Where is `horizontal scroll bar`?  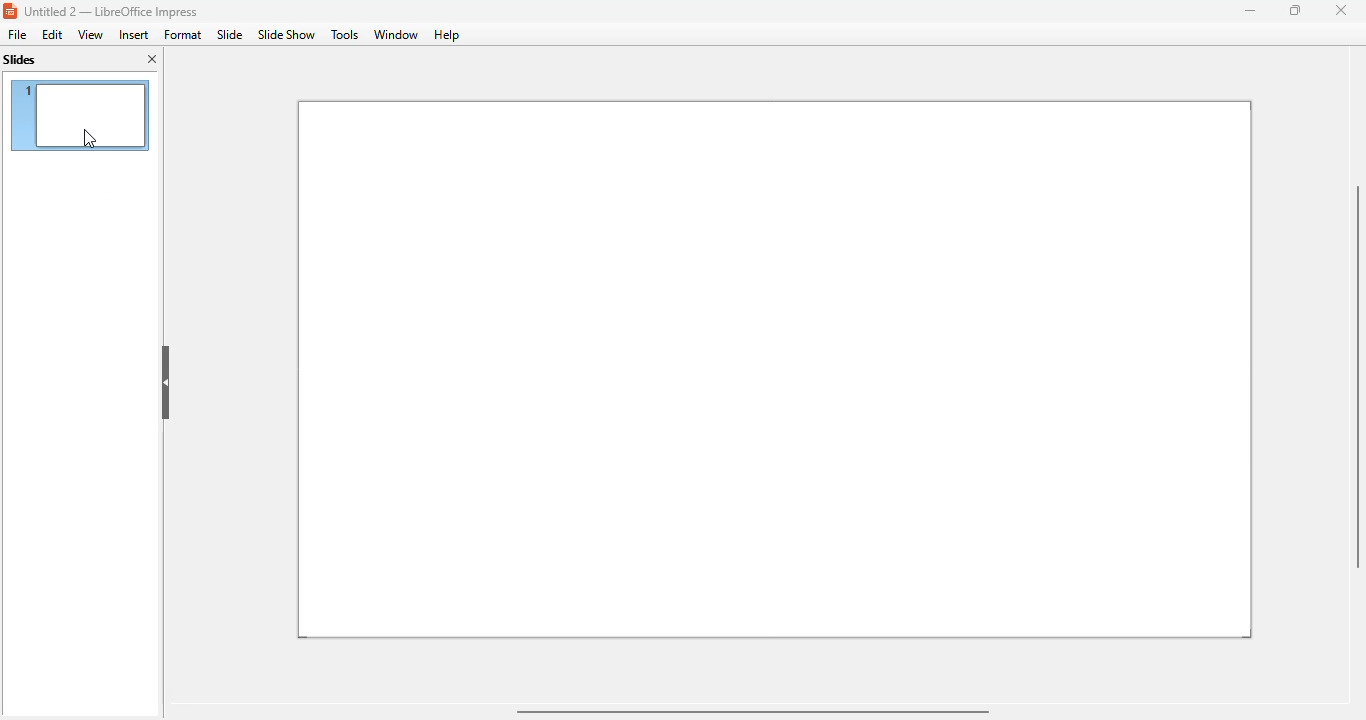 horizontal scroll bar is located at coordinates (750, 712).